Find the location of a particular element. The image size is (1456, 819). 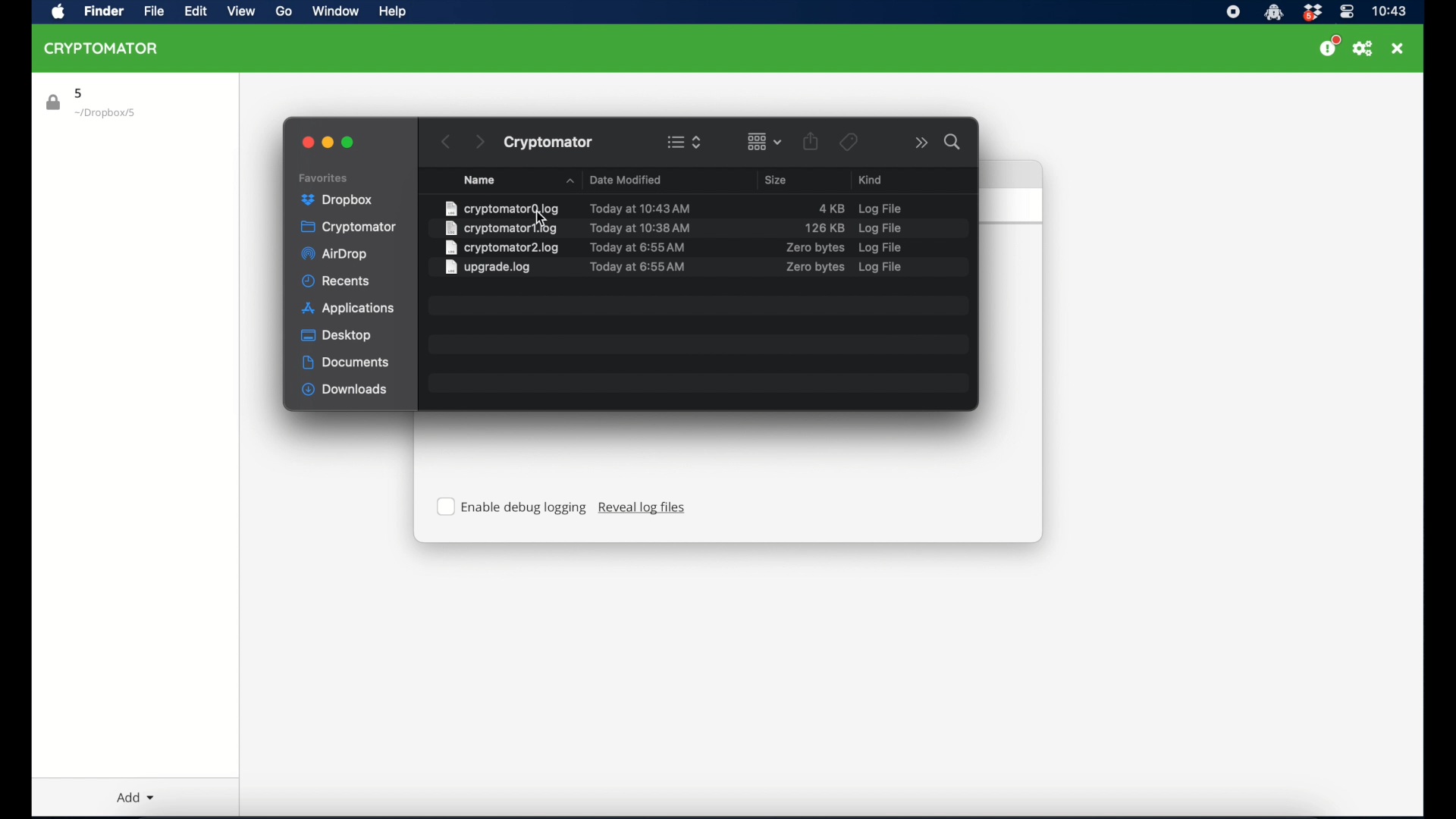

next is located at coordinates (482, 141).